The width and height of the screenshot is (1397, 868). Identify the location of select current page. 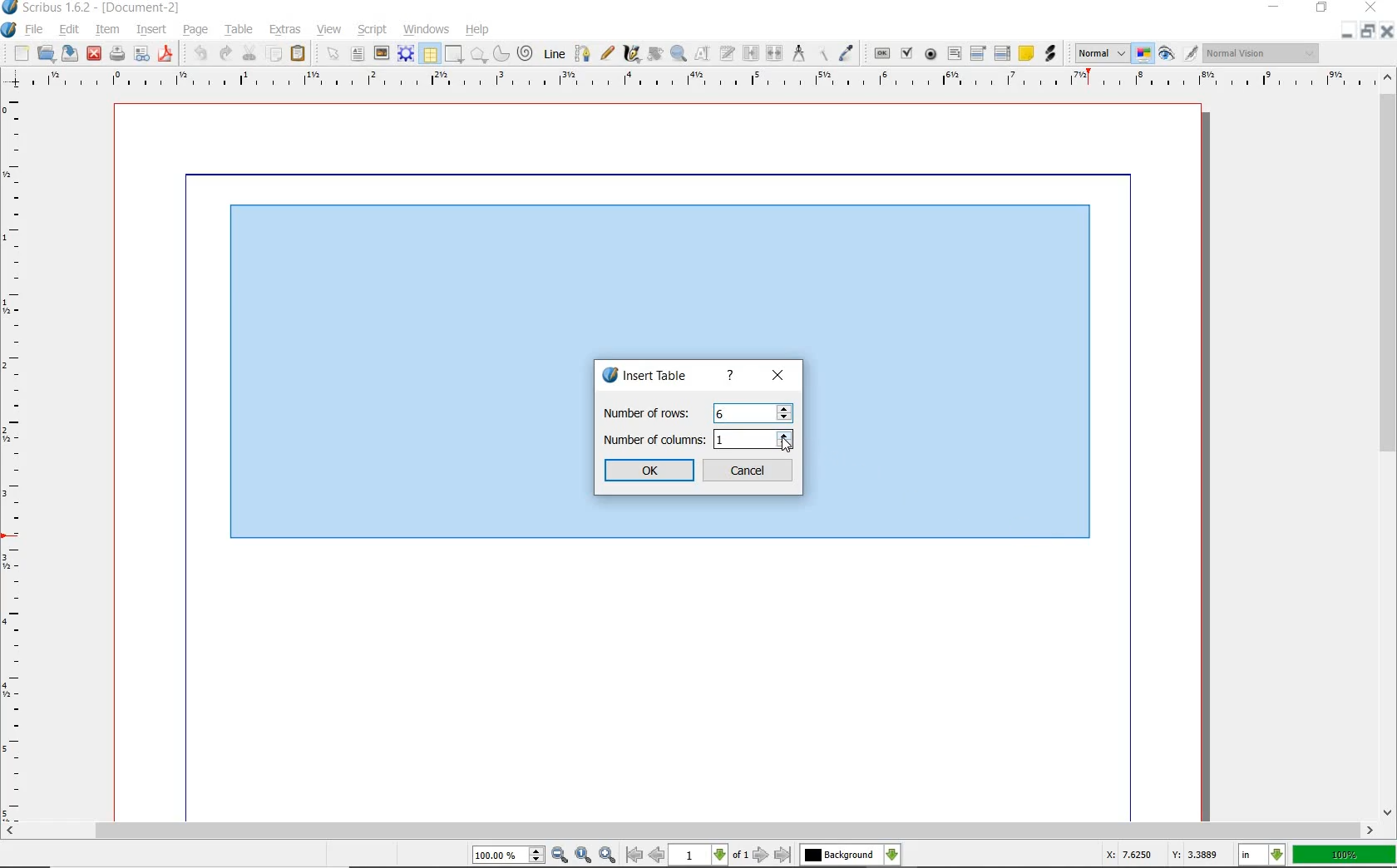
(708, 856).